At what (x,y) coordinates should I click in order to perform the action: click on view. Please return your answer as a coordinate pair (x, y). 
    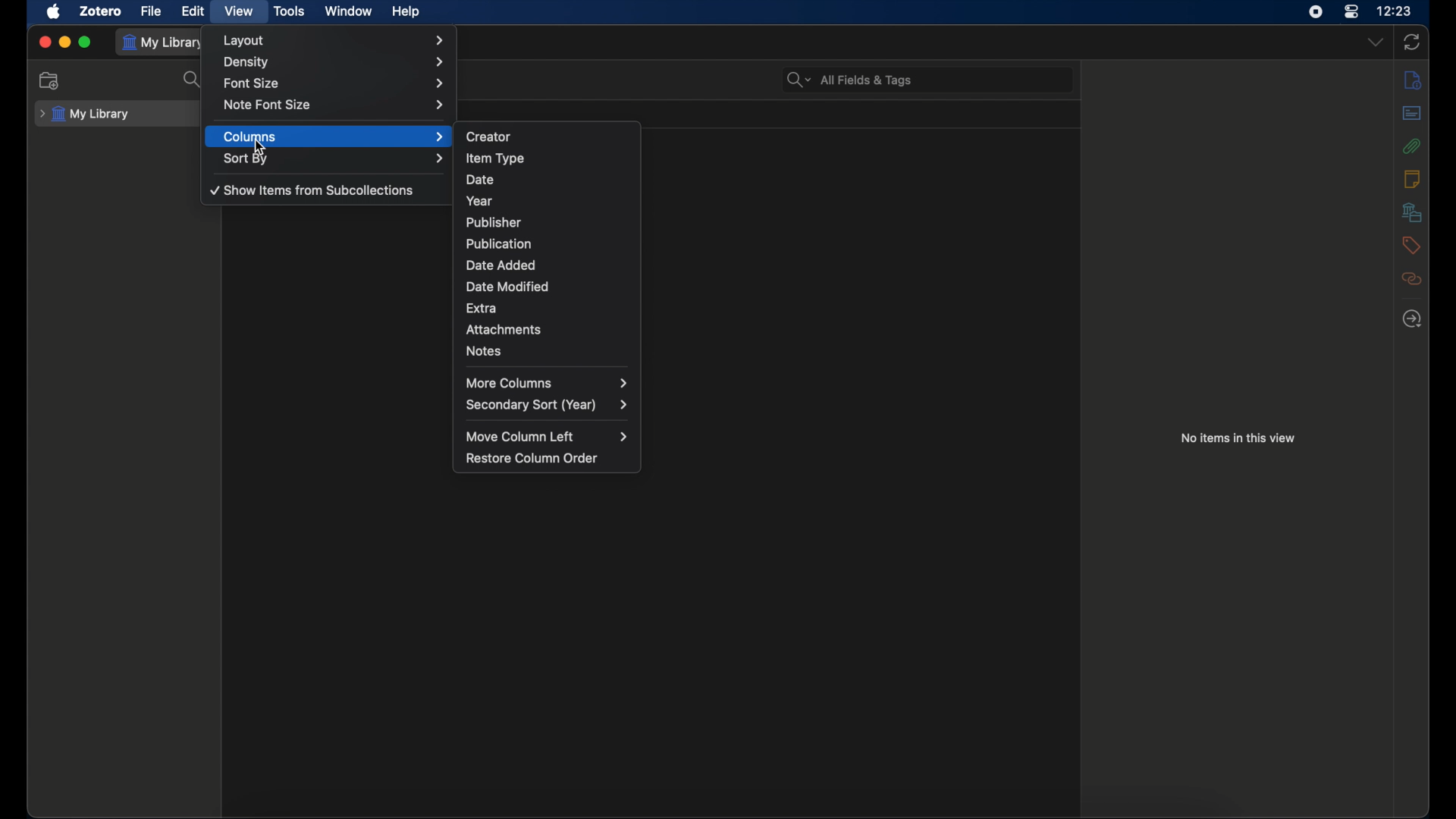
    Looking at the image, I should click on (238, 11).